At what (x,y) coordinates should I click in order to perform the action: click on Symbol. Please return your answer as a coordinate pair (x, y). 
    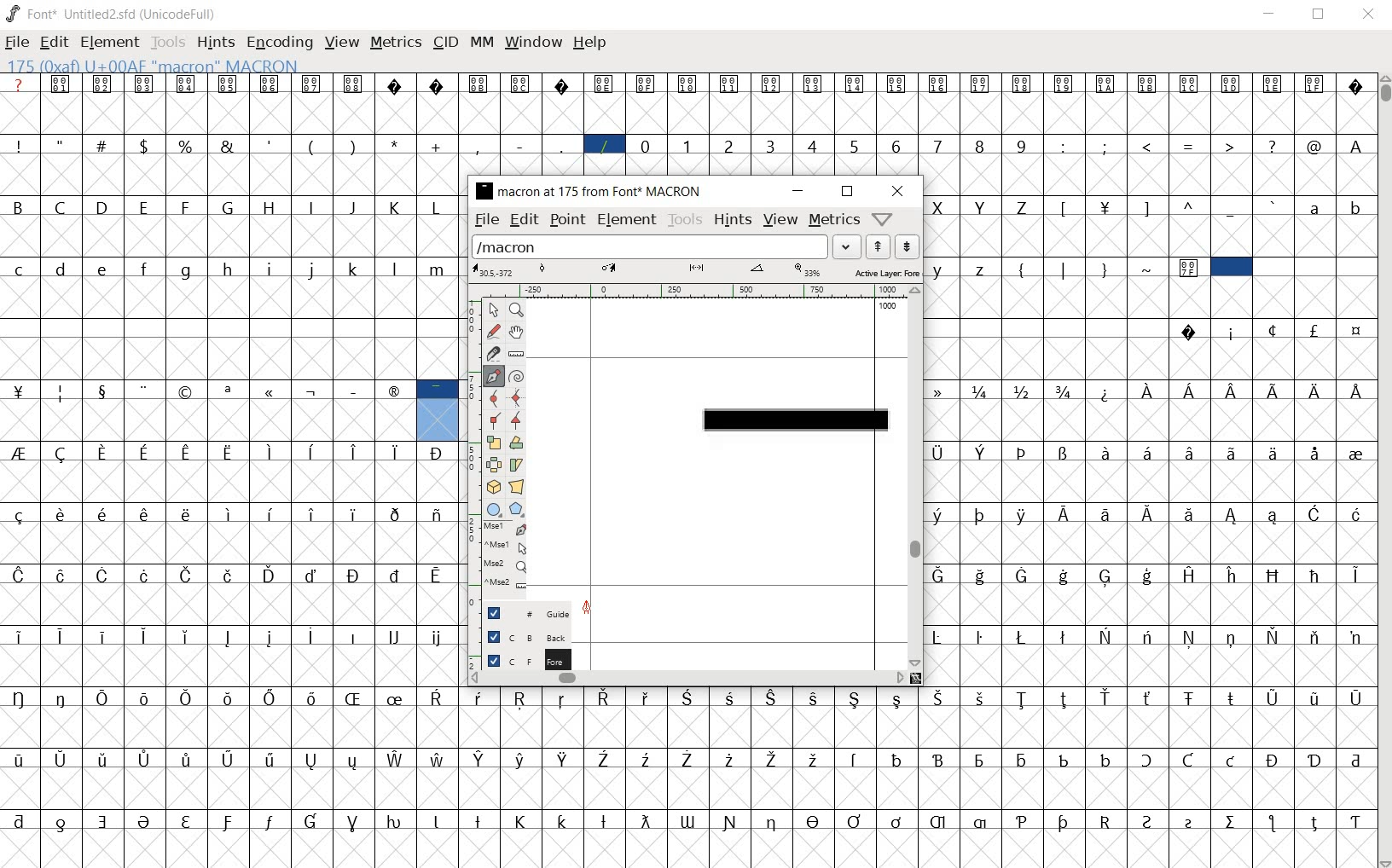
    Looking at the image, I should click on (270, 83).